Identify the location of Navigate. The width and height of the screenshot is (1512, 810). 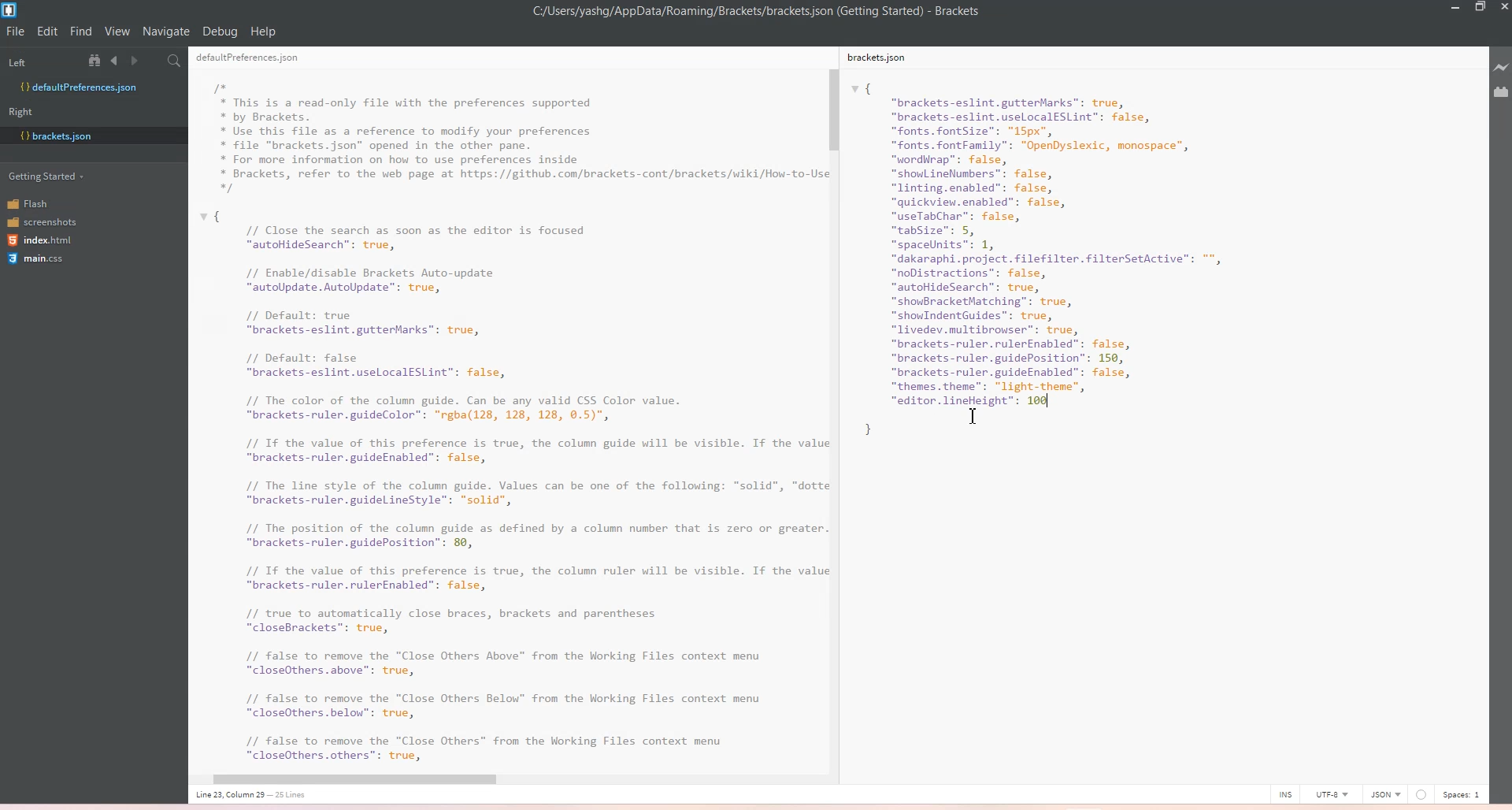
(166, 32).